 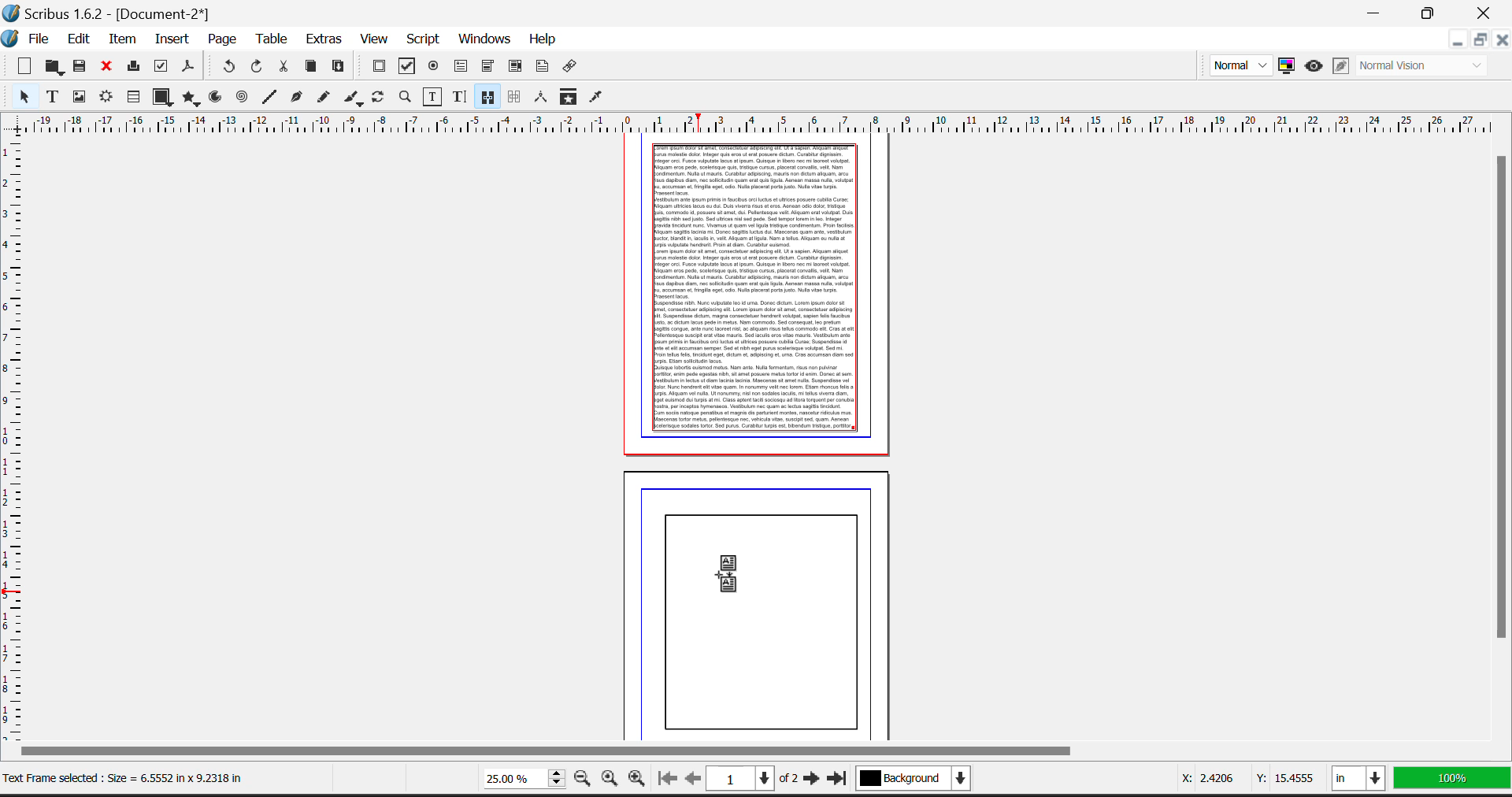 What do you see at coordinates (757, 780) in the screenshot?
I see `Page Navigation` at bounding box center [757, 780].